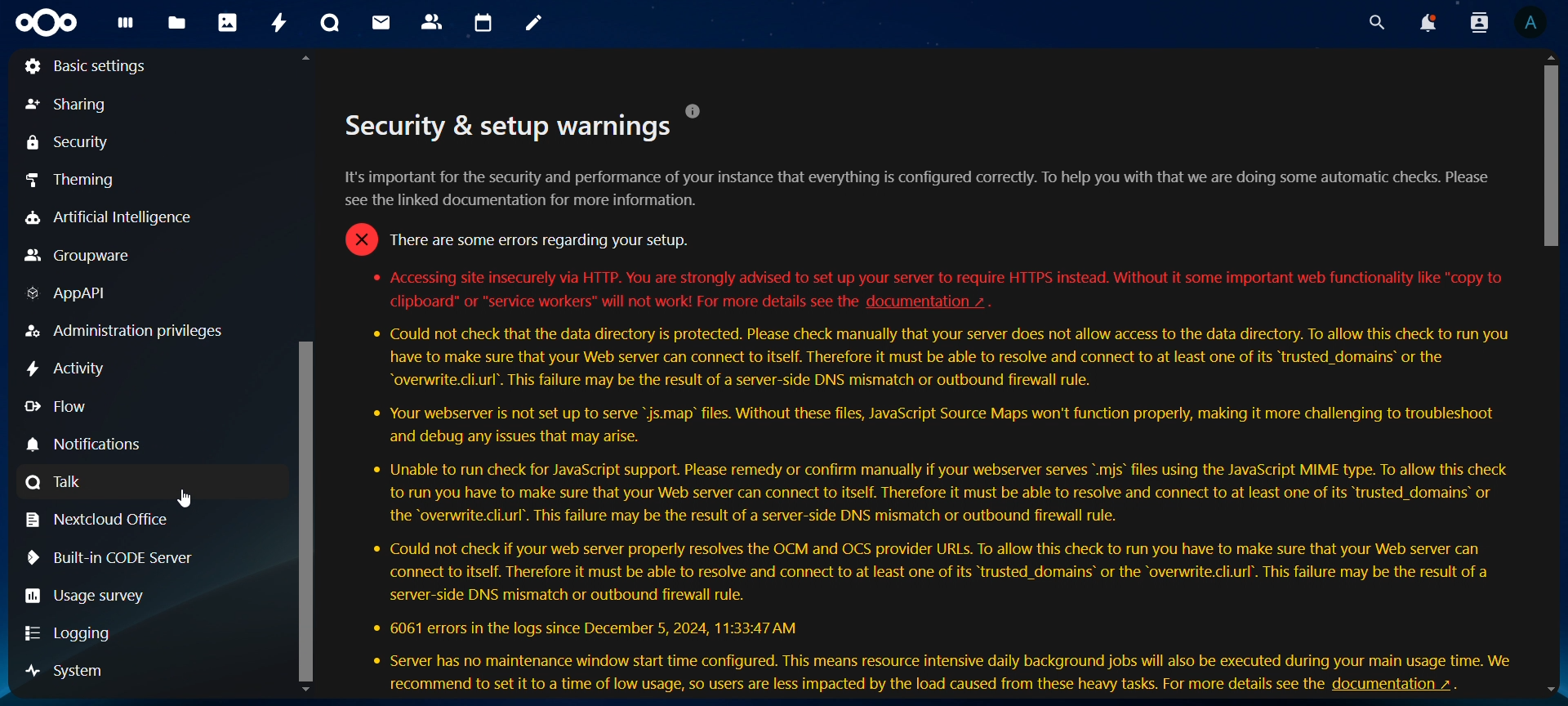 The image size is (1568, 706). I want to click on logging, so click(73, 634).